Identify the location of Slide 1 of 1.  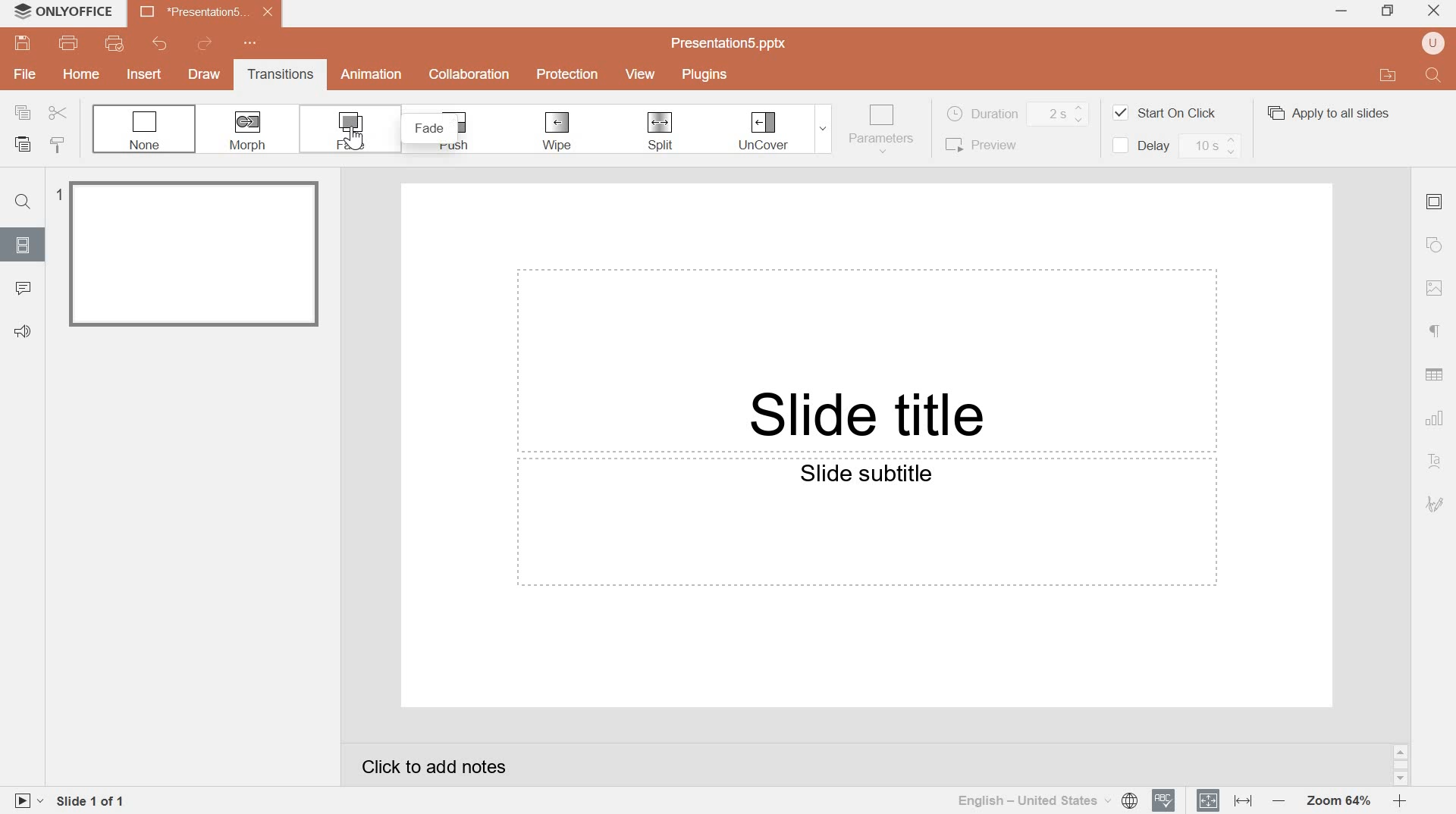
(93, 803).